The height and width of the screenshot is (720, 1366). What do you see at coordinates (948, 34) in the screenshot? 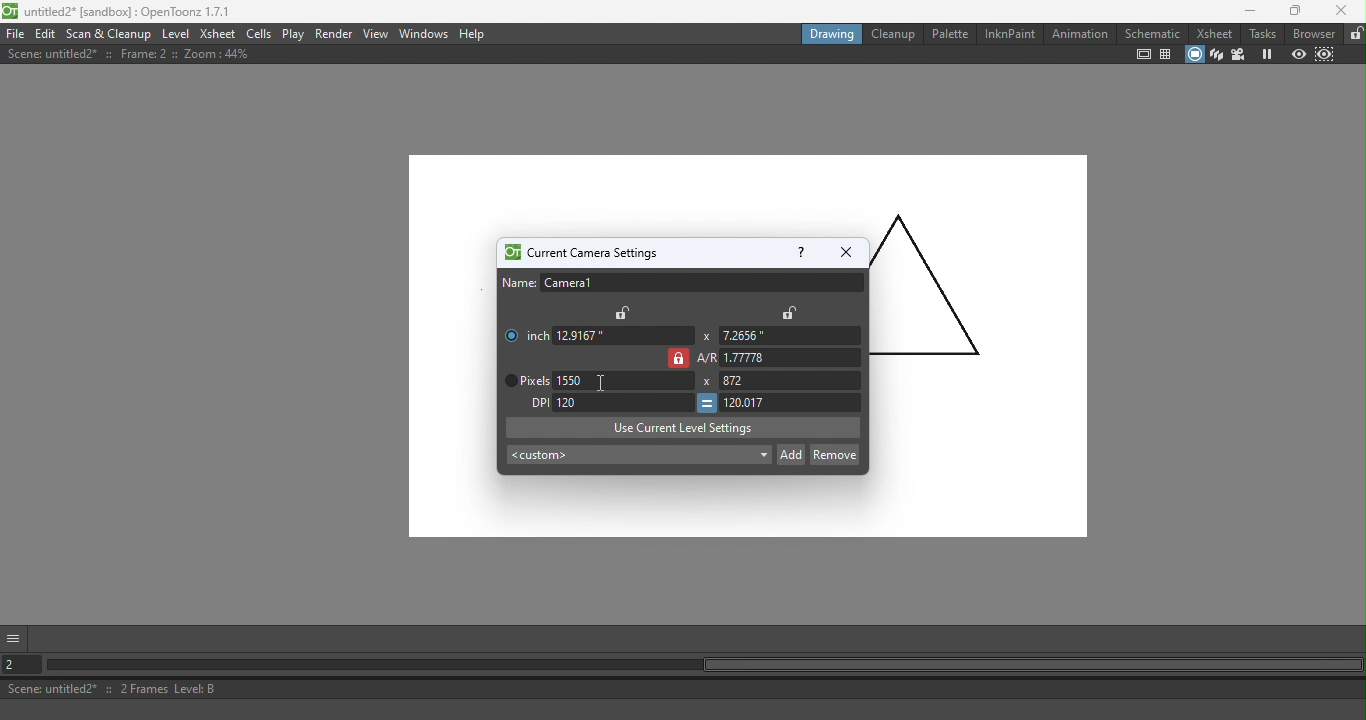
I see `Palette` at bounding box center [948, 34].